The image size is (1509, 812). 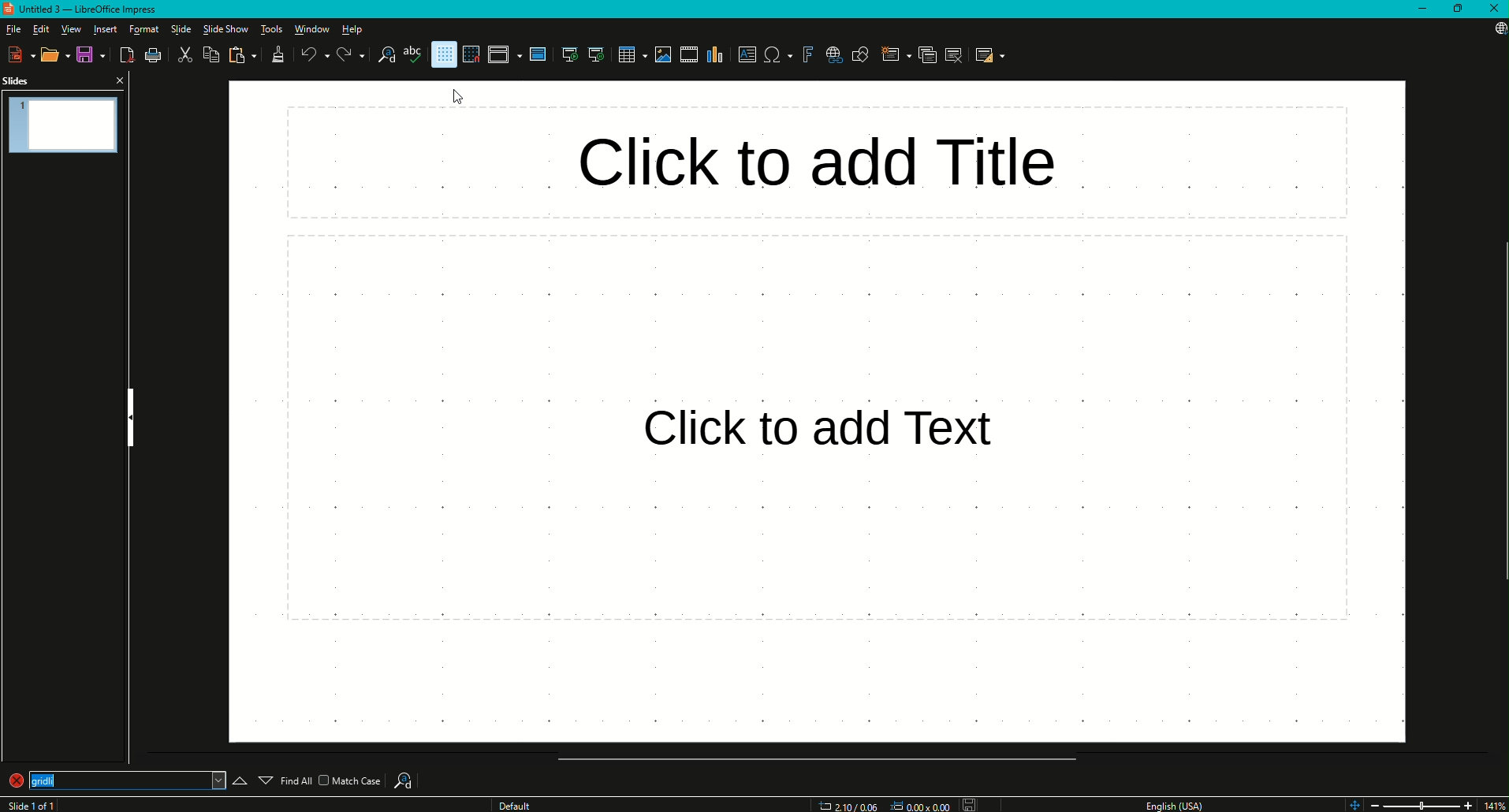 What do you see at coordinates (210, 55) in the screenshot?
I see `Copy` at bounding box center [210, 55].